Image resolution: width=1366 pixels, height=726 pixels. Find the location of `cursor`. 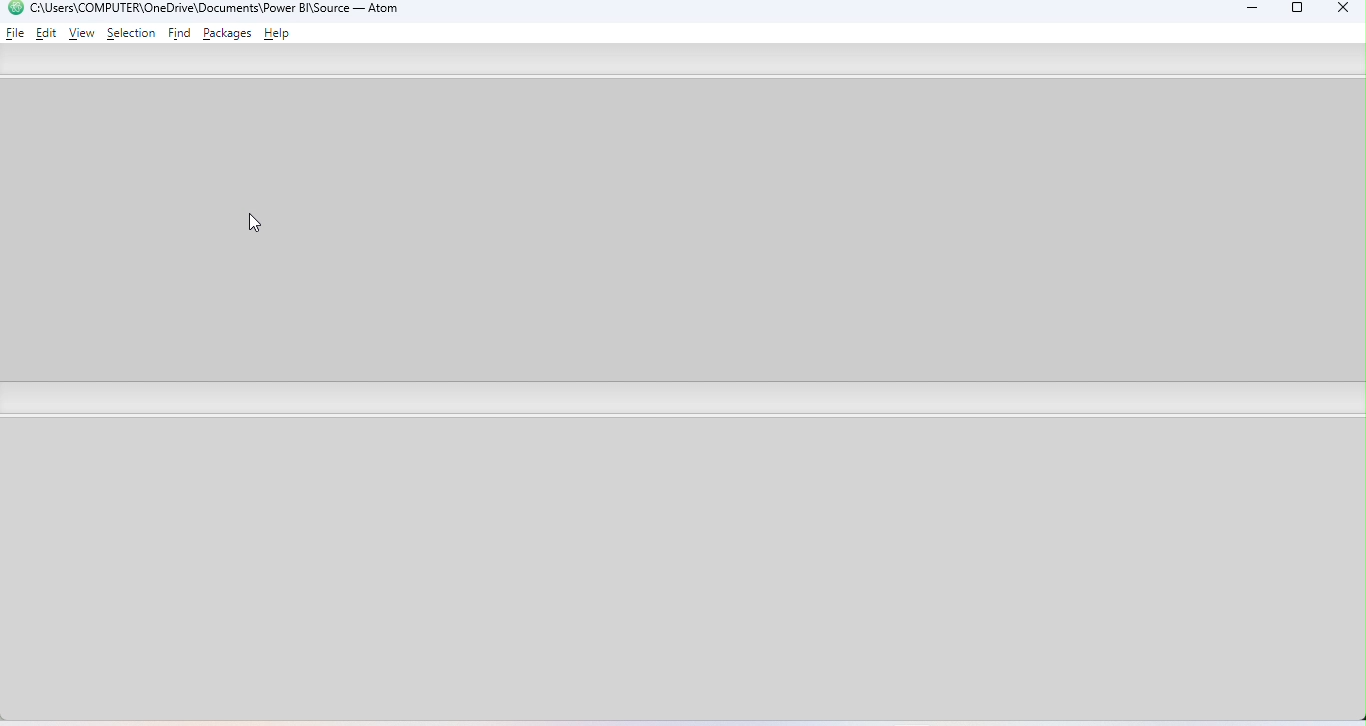

cursor is located at coordinates (258, 225).